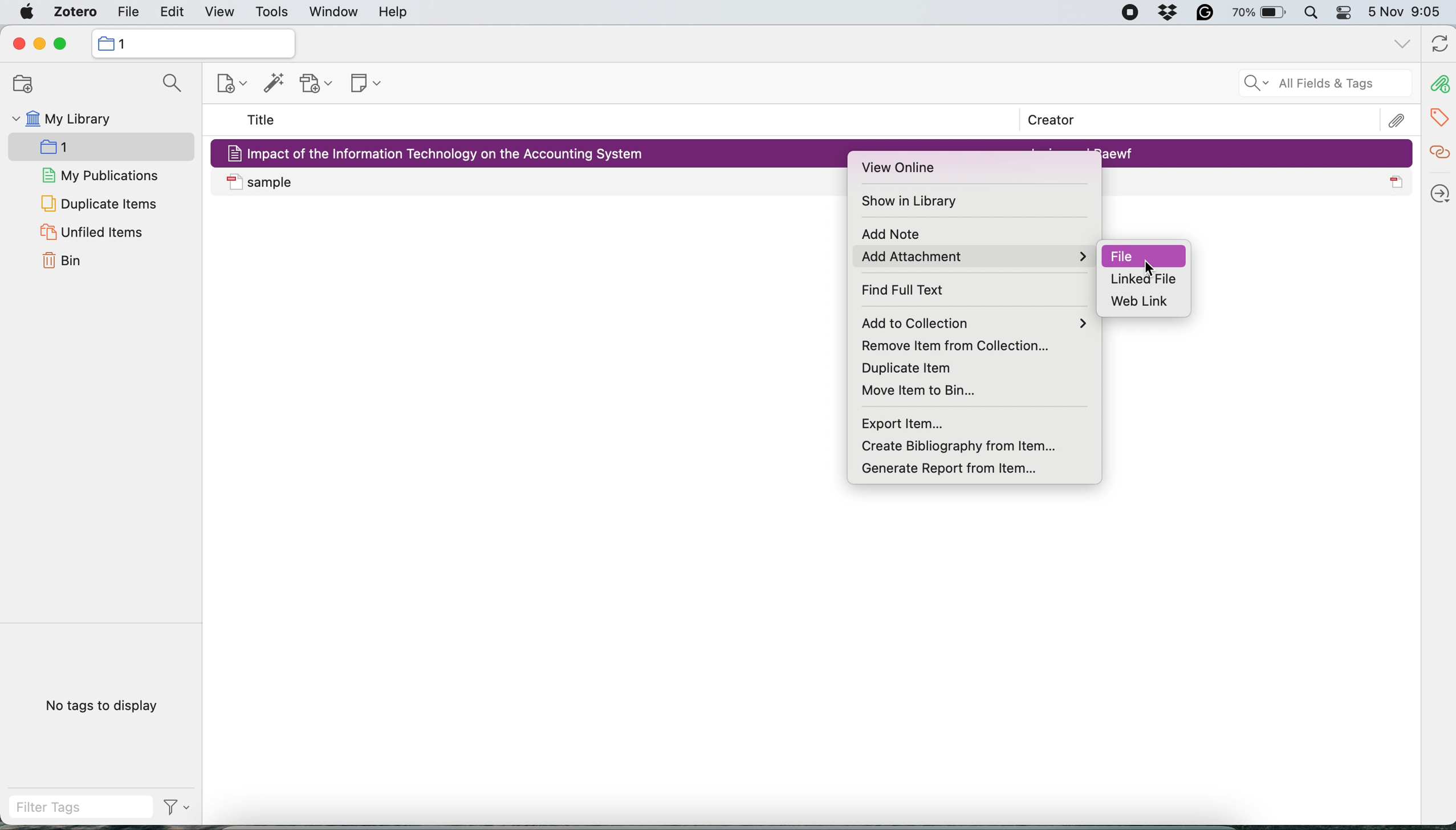  What do you see at coordinates (975, 445) in the screenshot?
I see `create bibliography from item` at bounding box center [975, 445].